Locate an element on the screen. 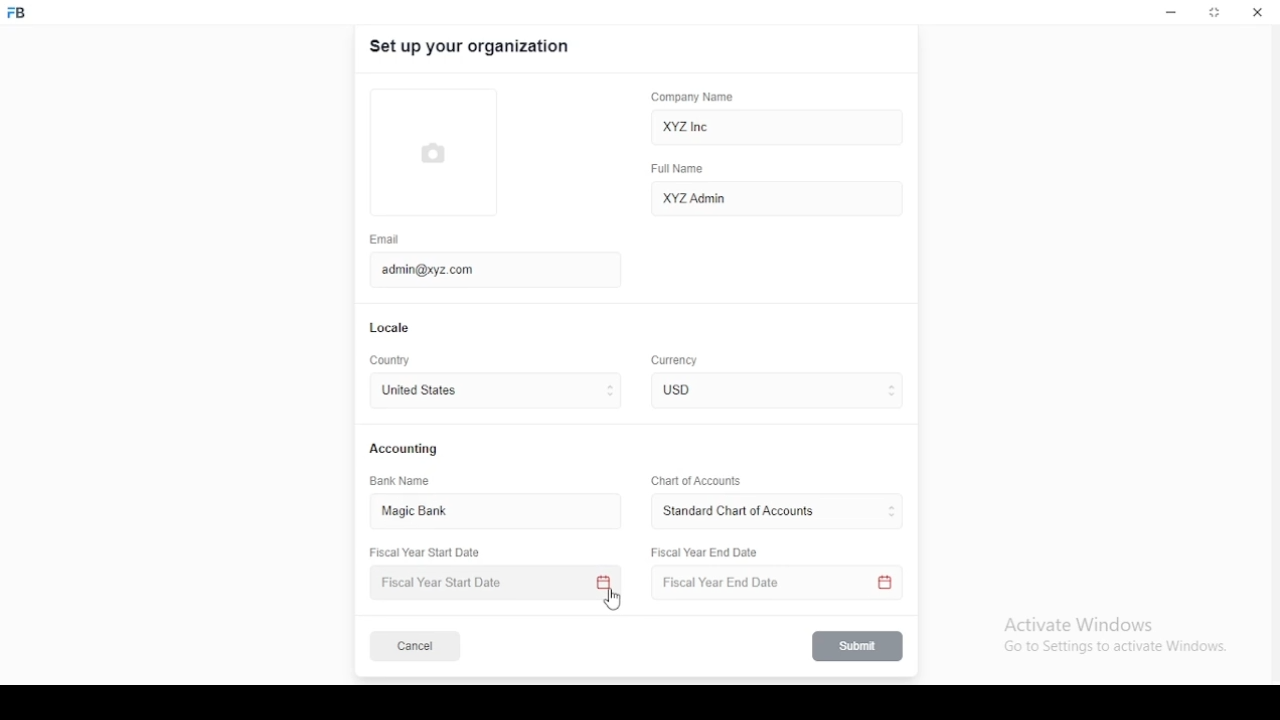 Image resolution: width=1280 pixels, height=720 pixels. XYZ Admin is located at coordinates (777, 197).